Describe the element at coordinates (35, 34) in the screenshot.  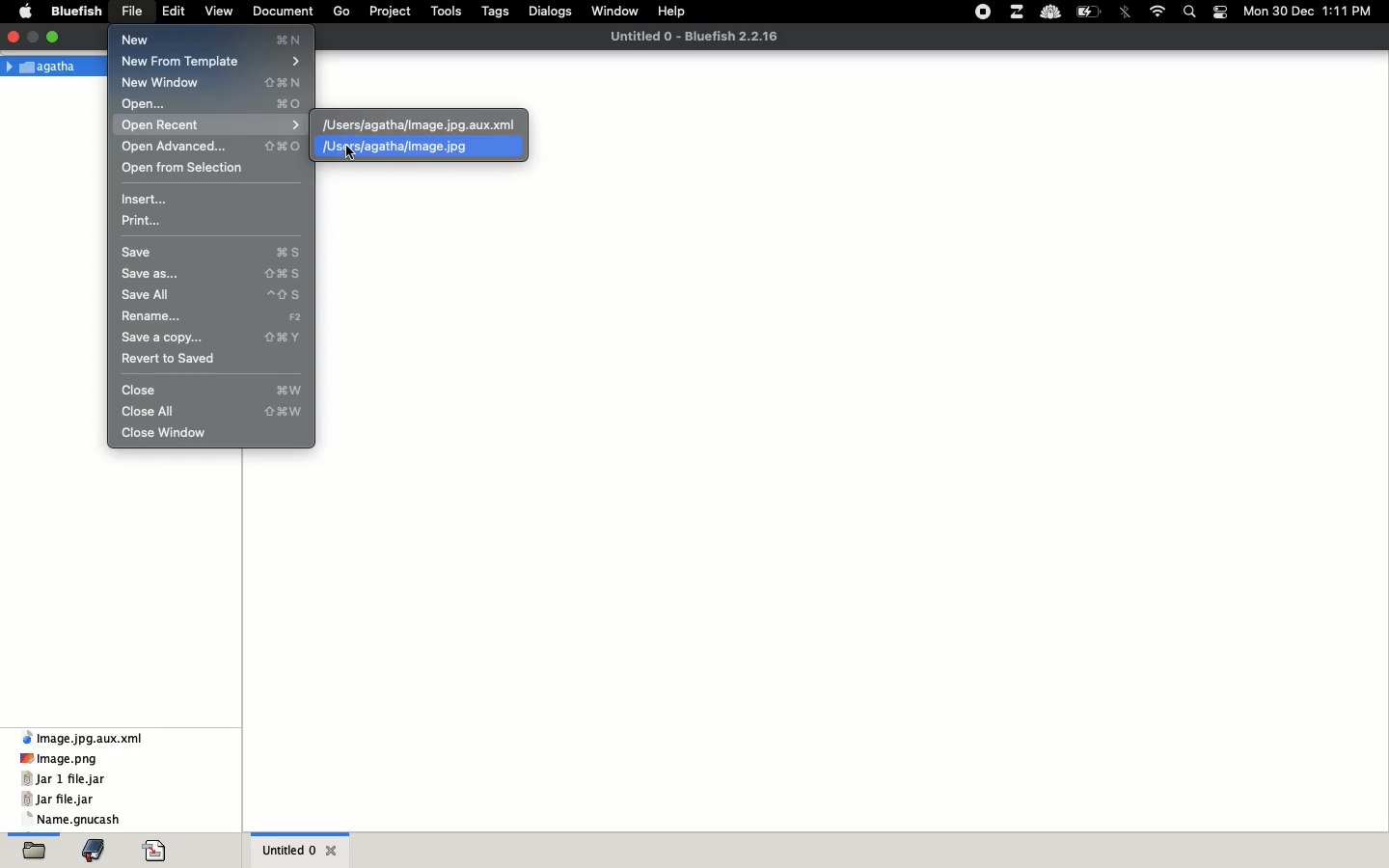
I see `full screen` at that location.